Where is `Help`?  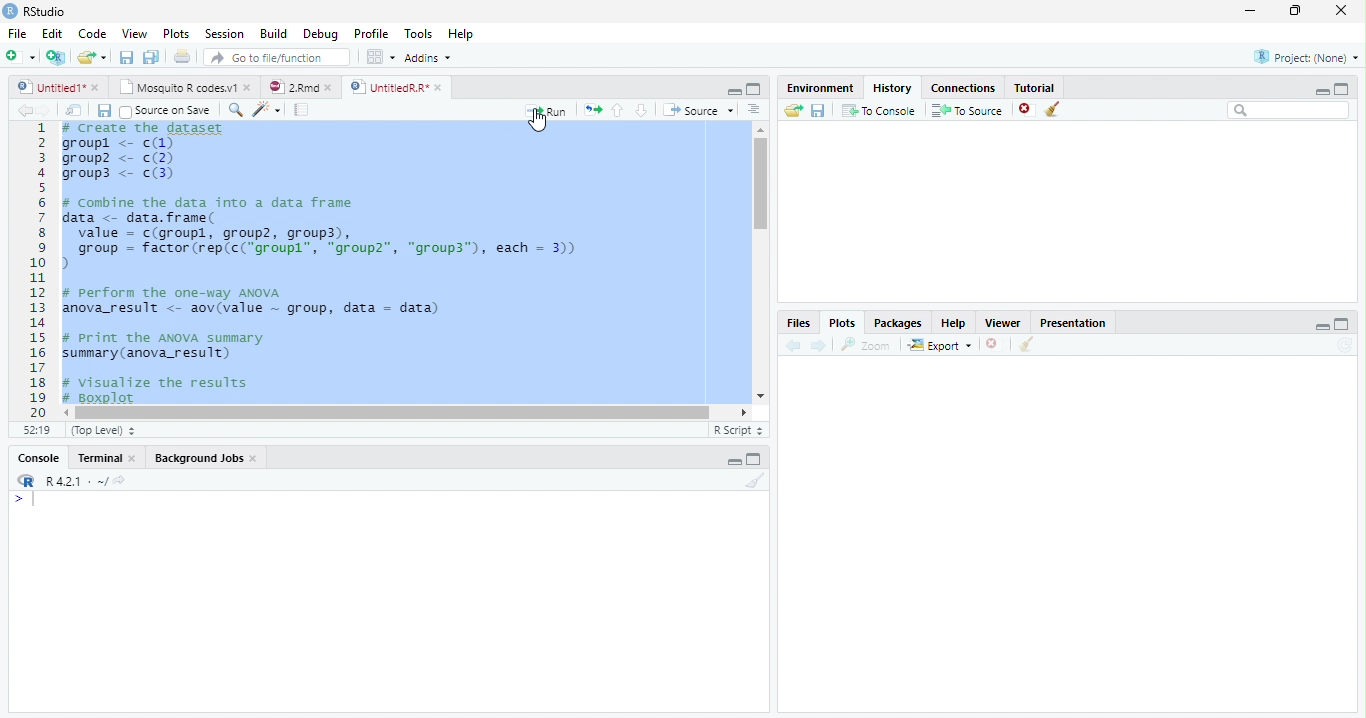 Help is located at coordinates (460, 36).